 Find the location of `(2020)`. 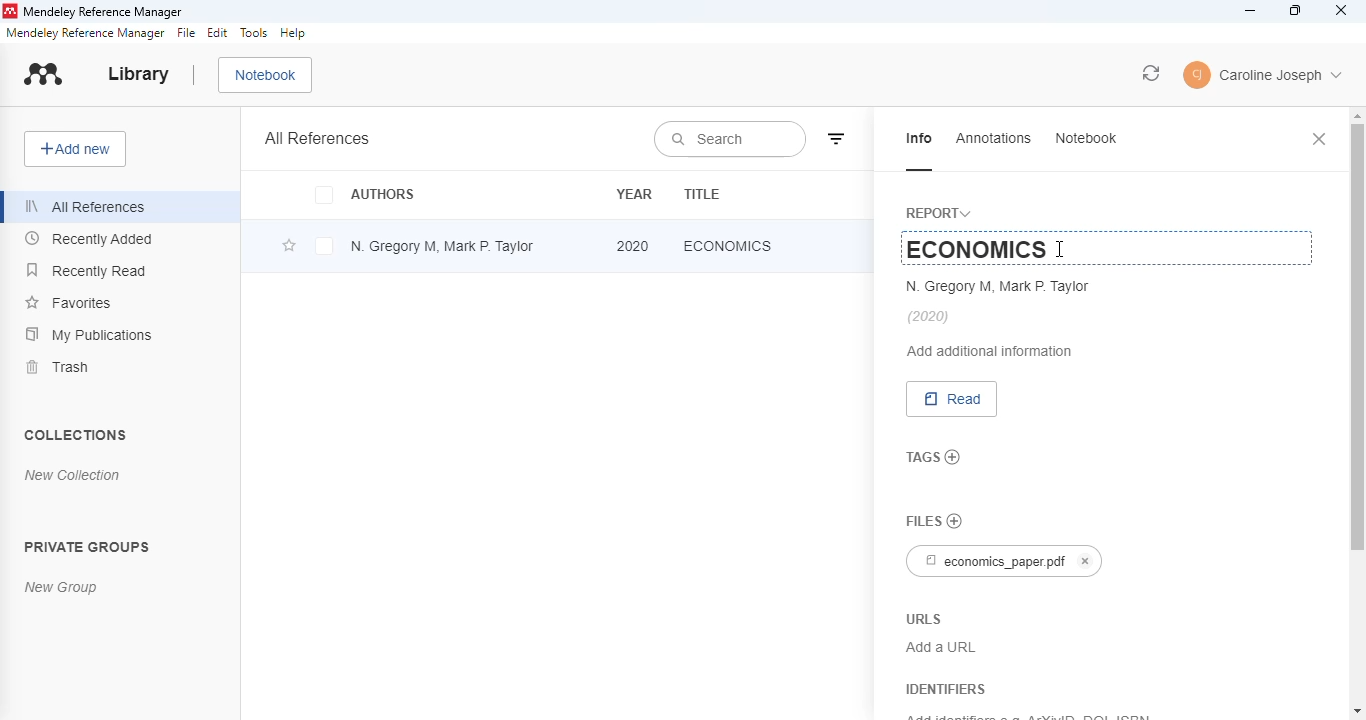

(2020) is located at coordinates (929, 317).